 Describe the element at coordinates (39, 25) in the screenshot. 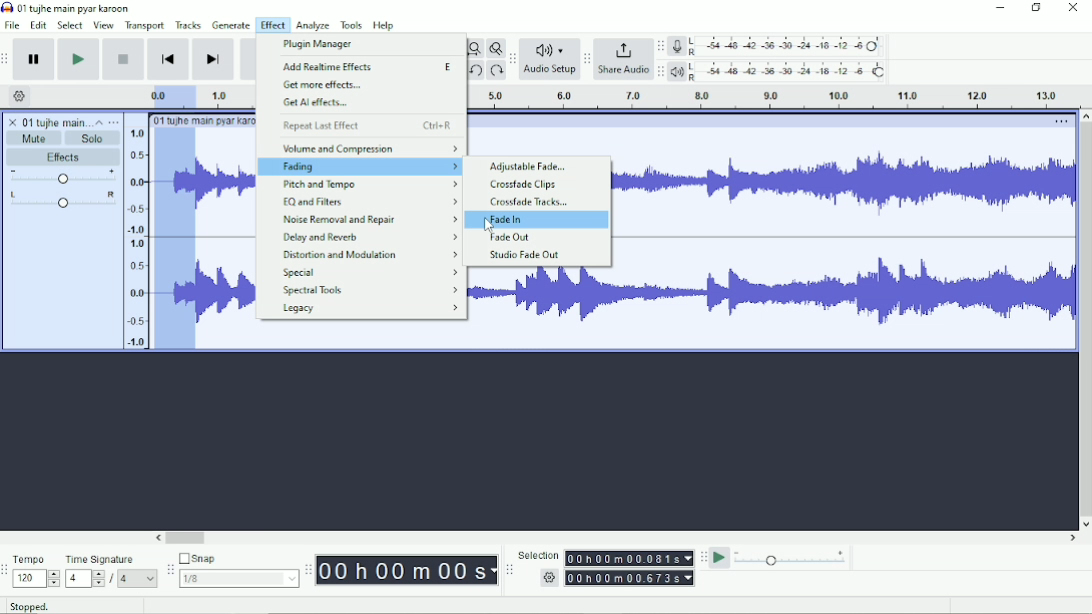

I see `Edit` at that location.